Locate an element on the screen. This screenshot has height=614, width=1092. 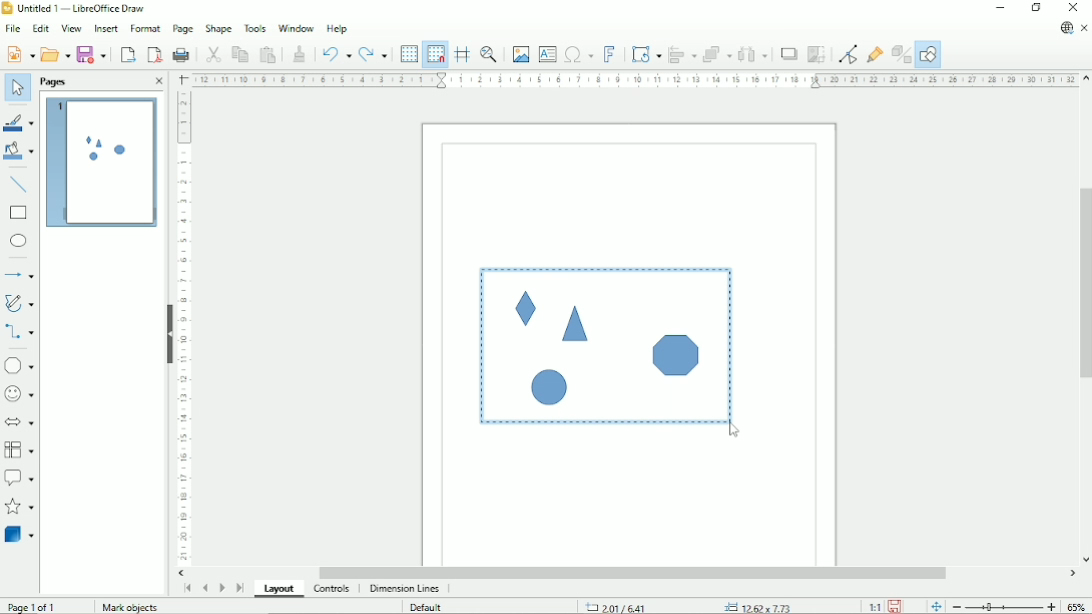
Title is located at coordinates (78, 9).